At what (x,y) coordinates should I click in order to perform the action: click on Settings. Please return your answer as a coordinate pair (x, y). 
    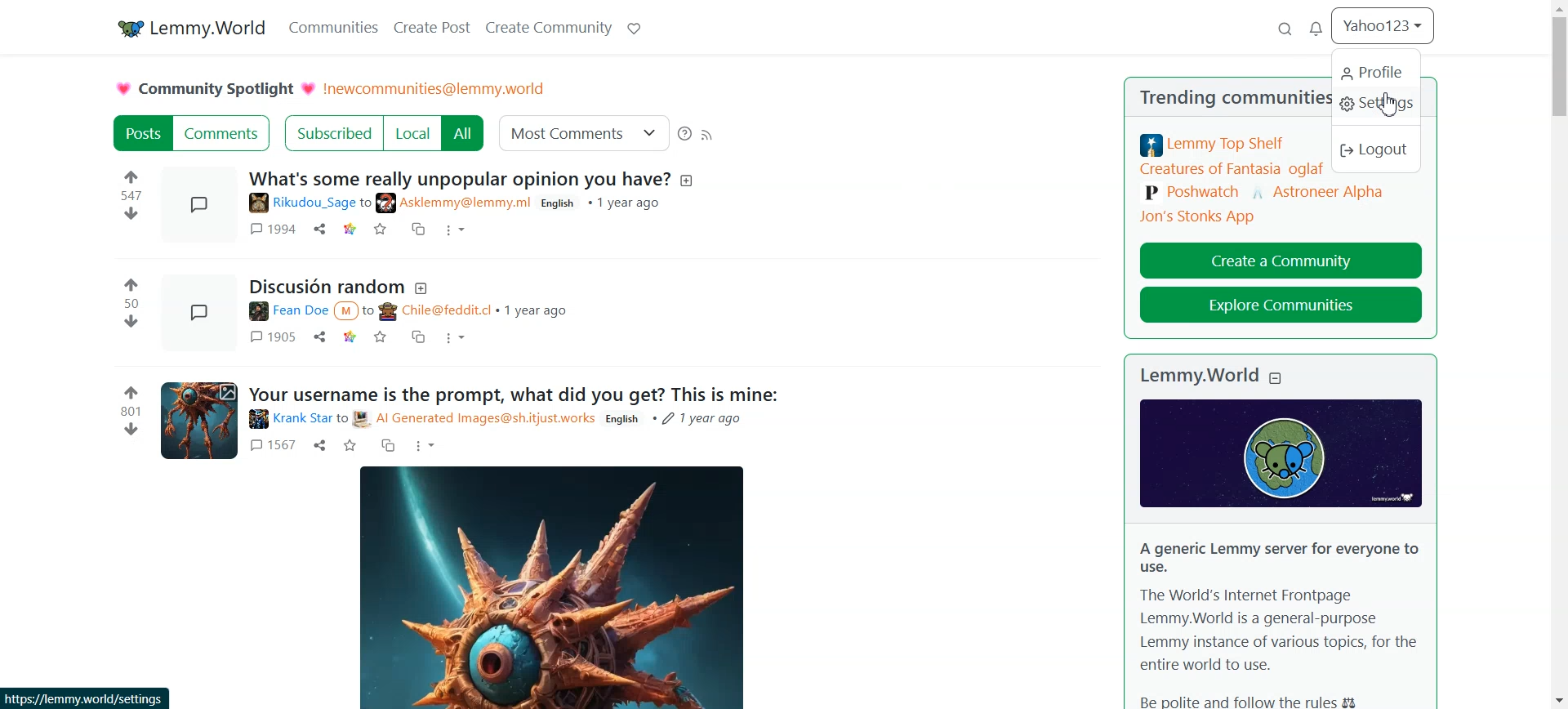
    Looking at the image, I should click on (1378, 106).